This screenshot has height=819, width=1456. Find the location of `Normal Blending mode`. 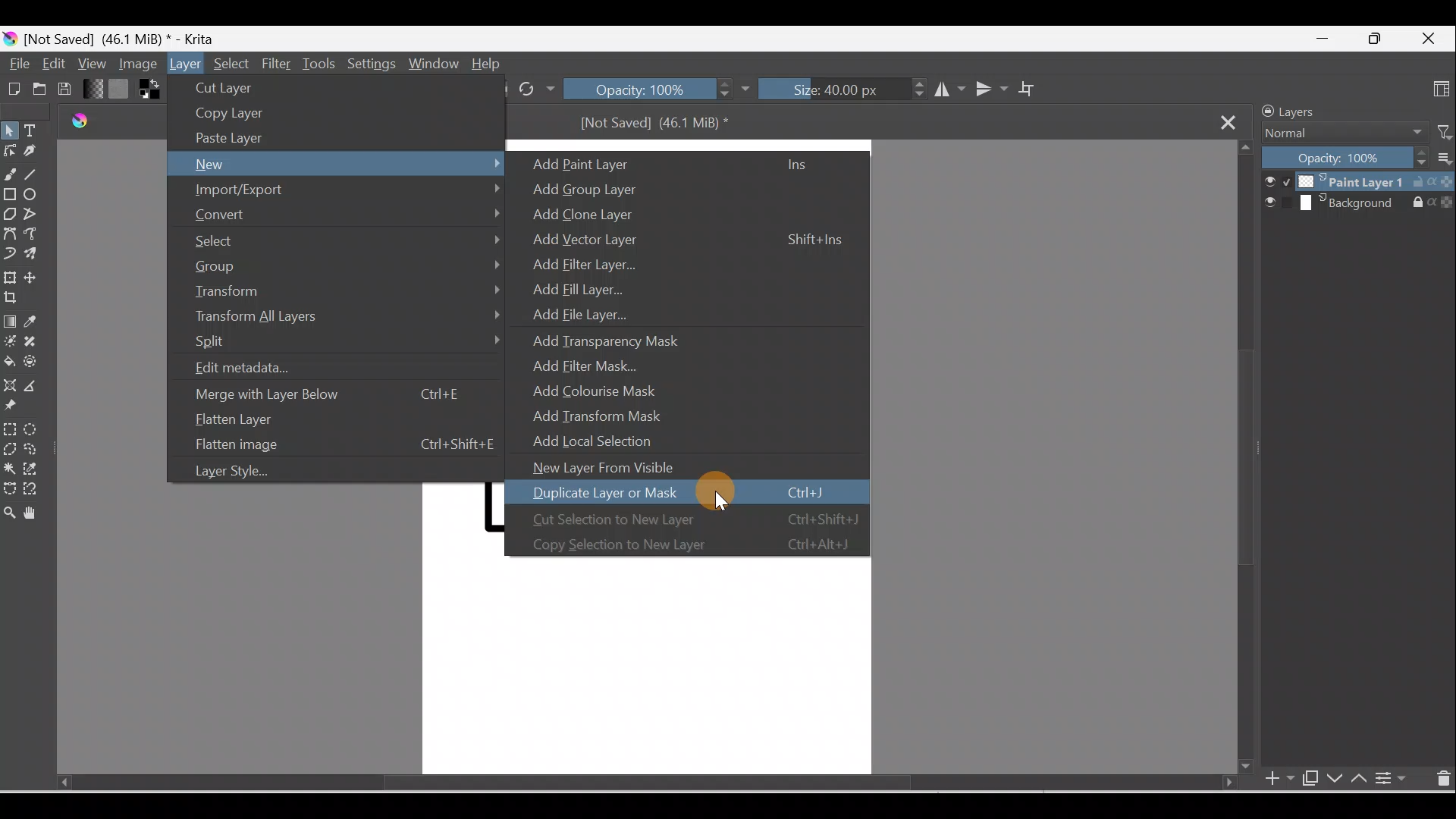

Normal Blending mode is located at coordinates (1337, 133).